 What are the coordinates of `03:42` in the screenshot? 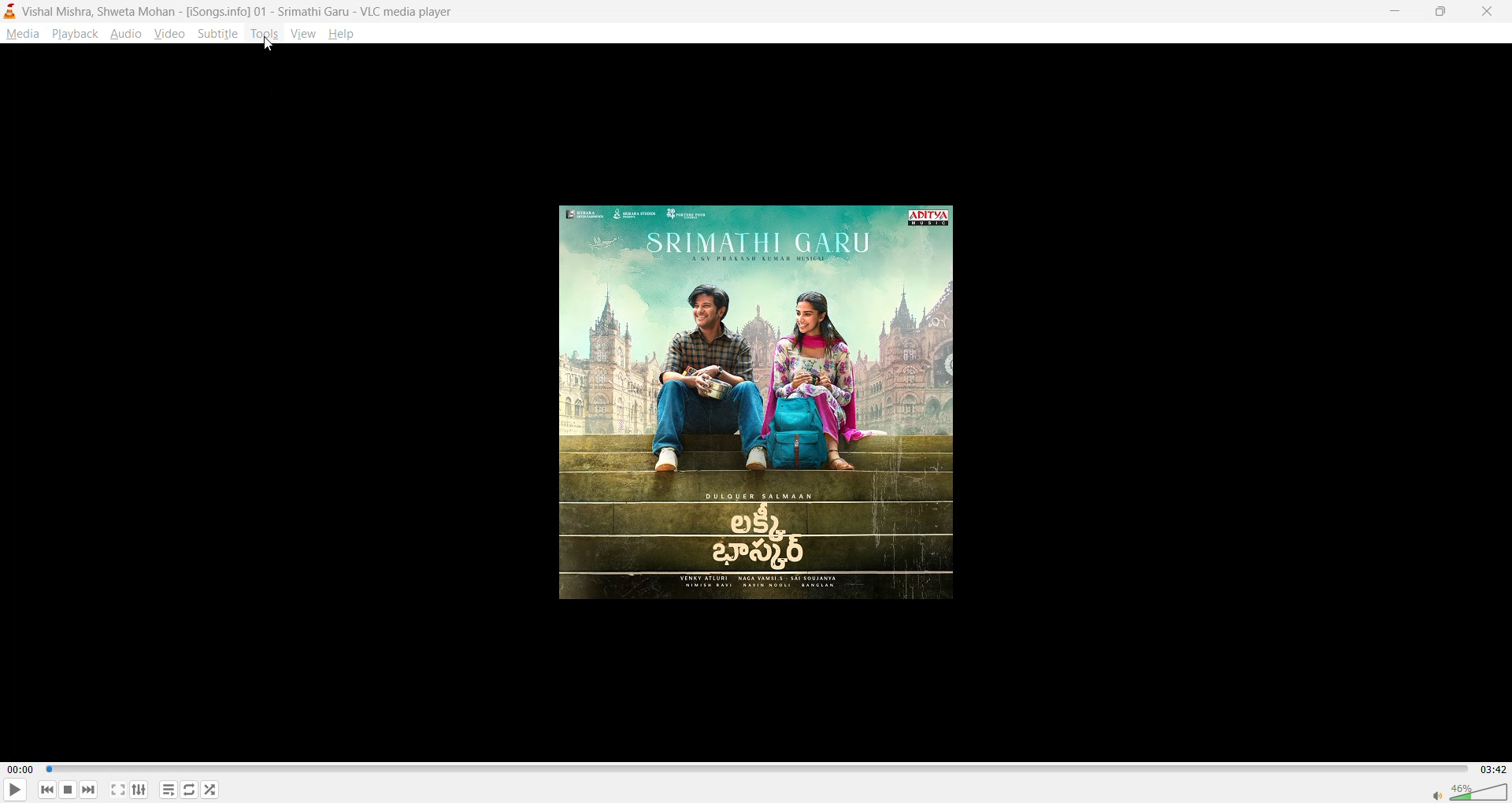 It's located at (1490, 769).